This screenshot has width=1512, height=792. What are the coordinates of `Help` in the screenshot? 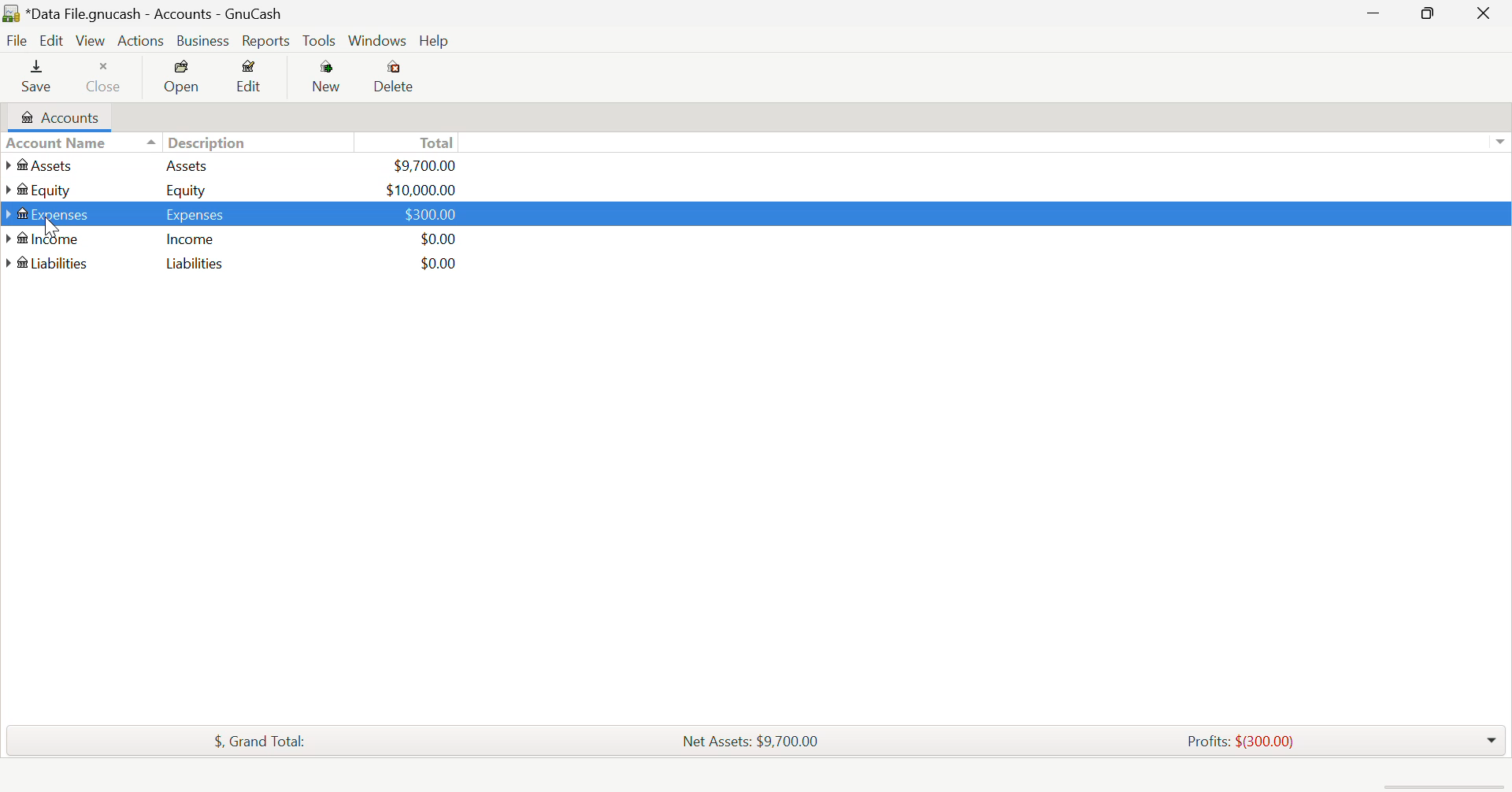 It's located at (434, 41).